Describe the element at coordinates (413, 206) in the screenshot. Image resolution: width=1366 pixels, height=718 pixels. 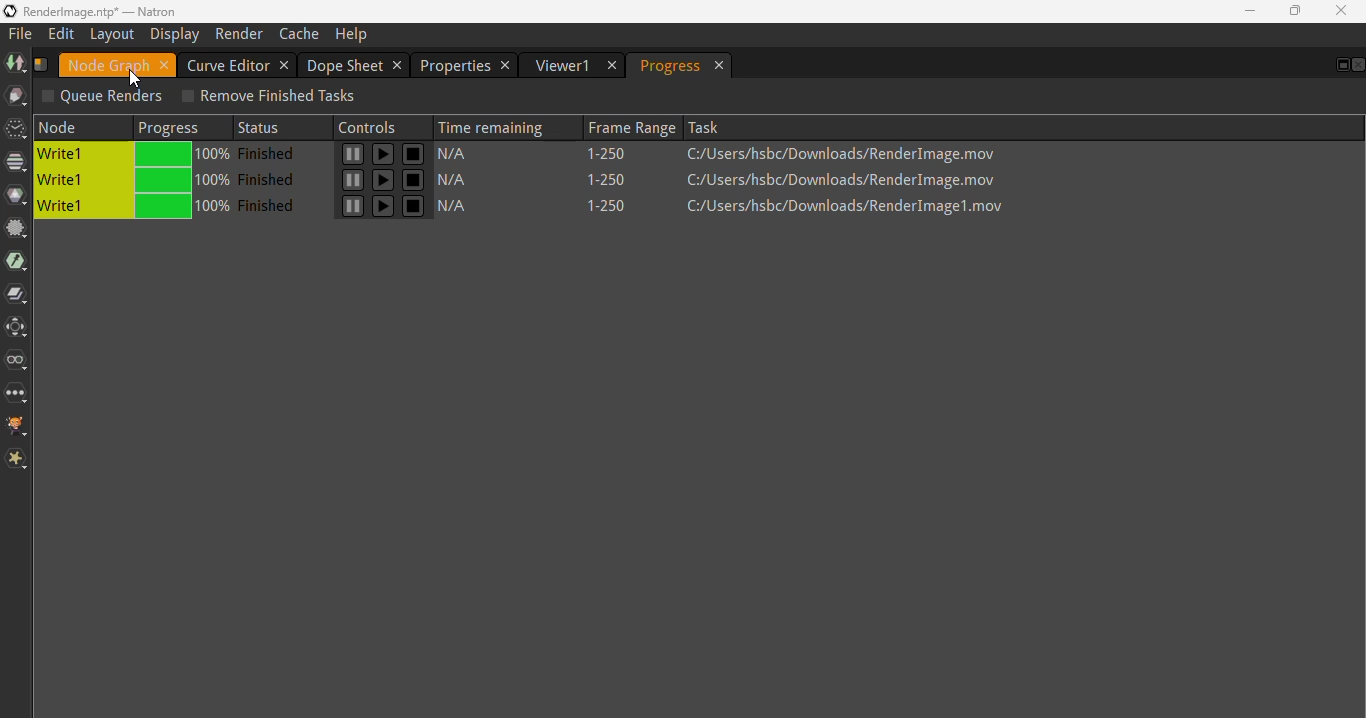
I see `stop` at that location.